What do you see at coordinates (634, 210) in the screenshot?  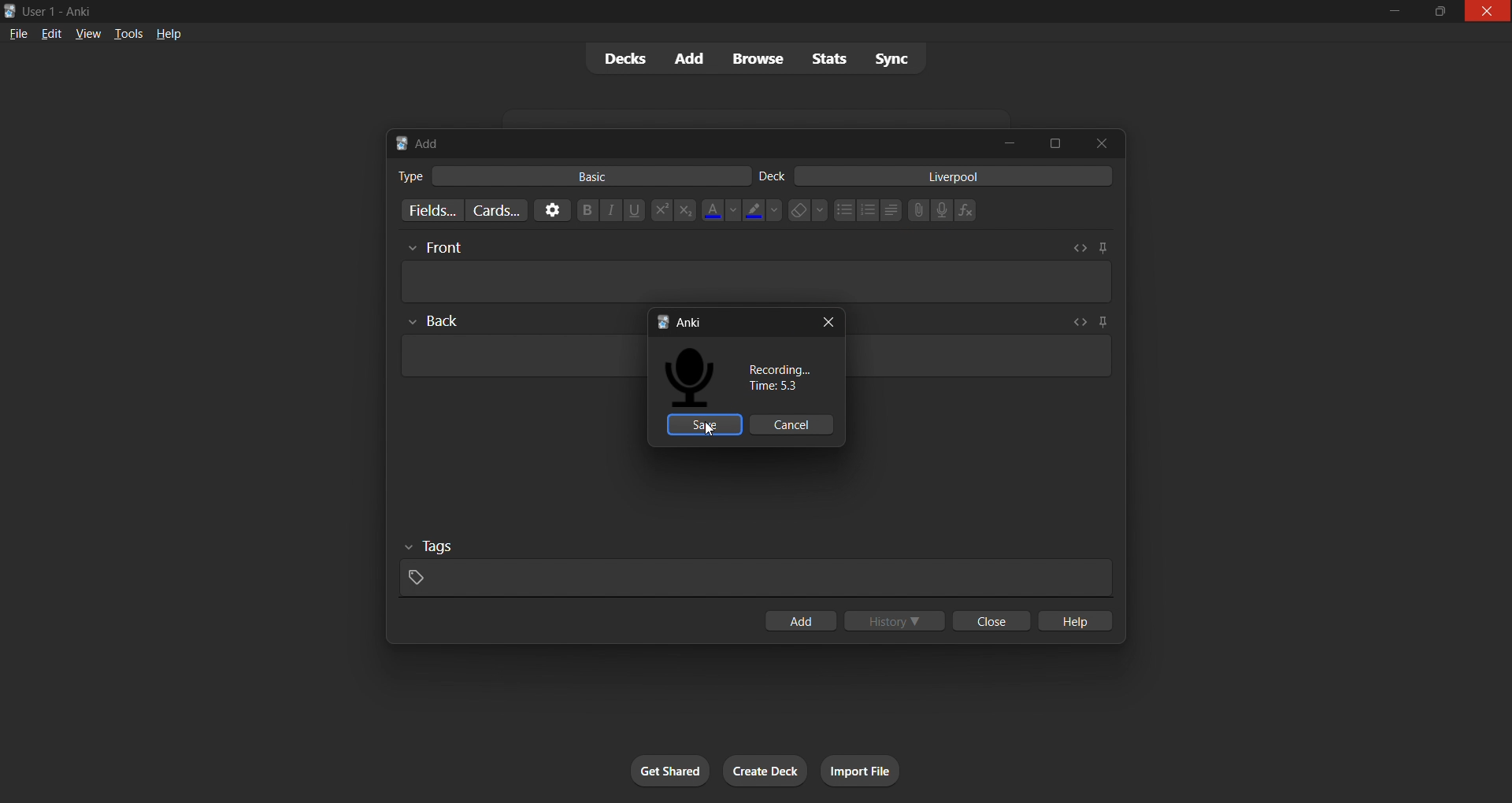 I see `underline` at bounding box center [634, 210].